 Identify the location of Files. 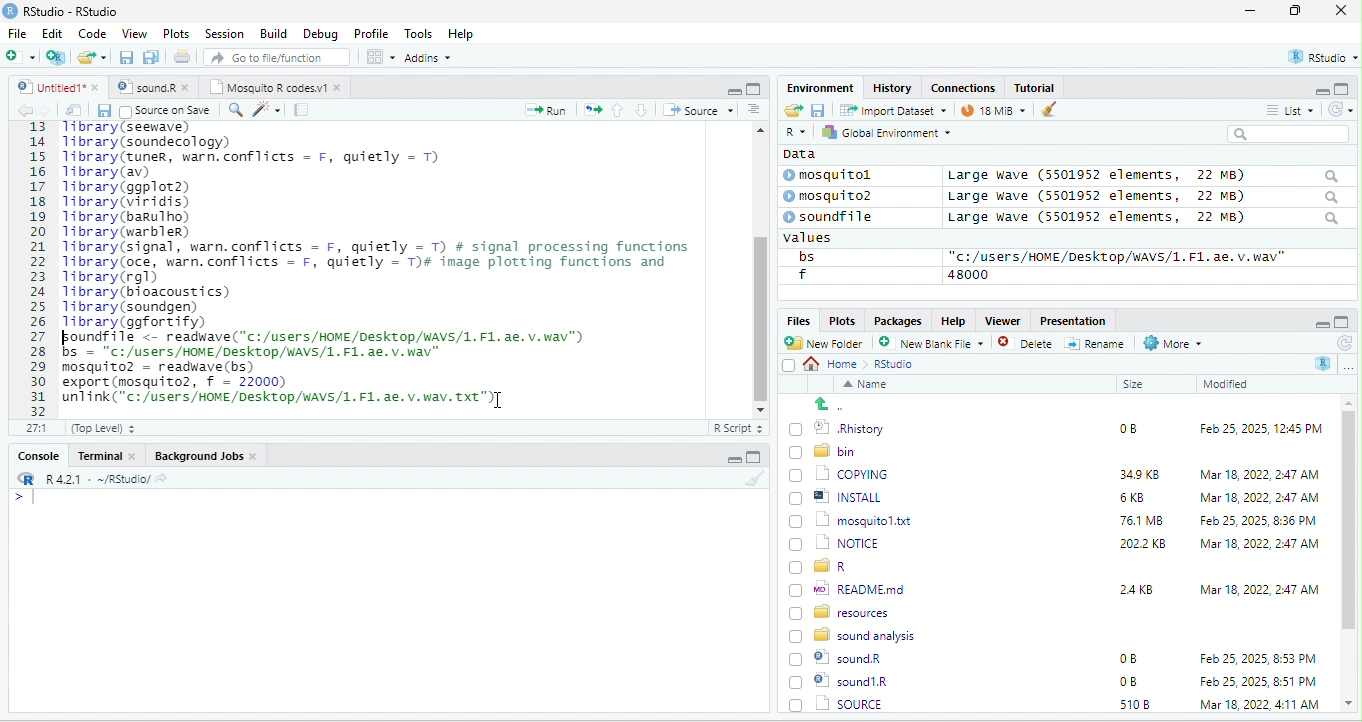
(795, 320).